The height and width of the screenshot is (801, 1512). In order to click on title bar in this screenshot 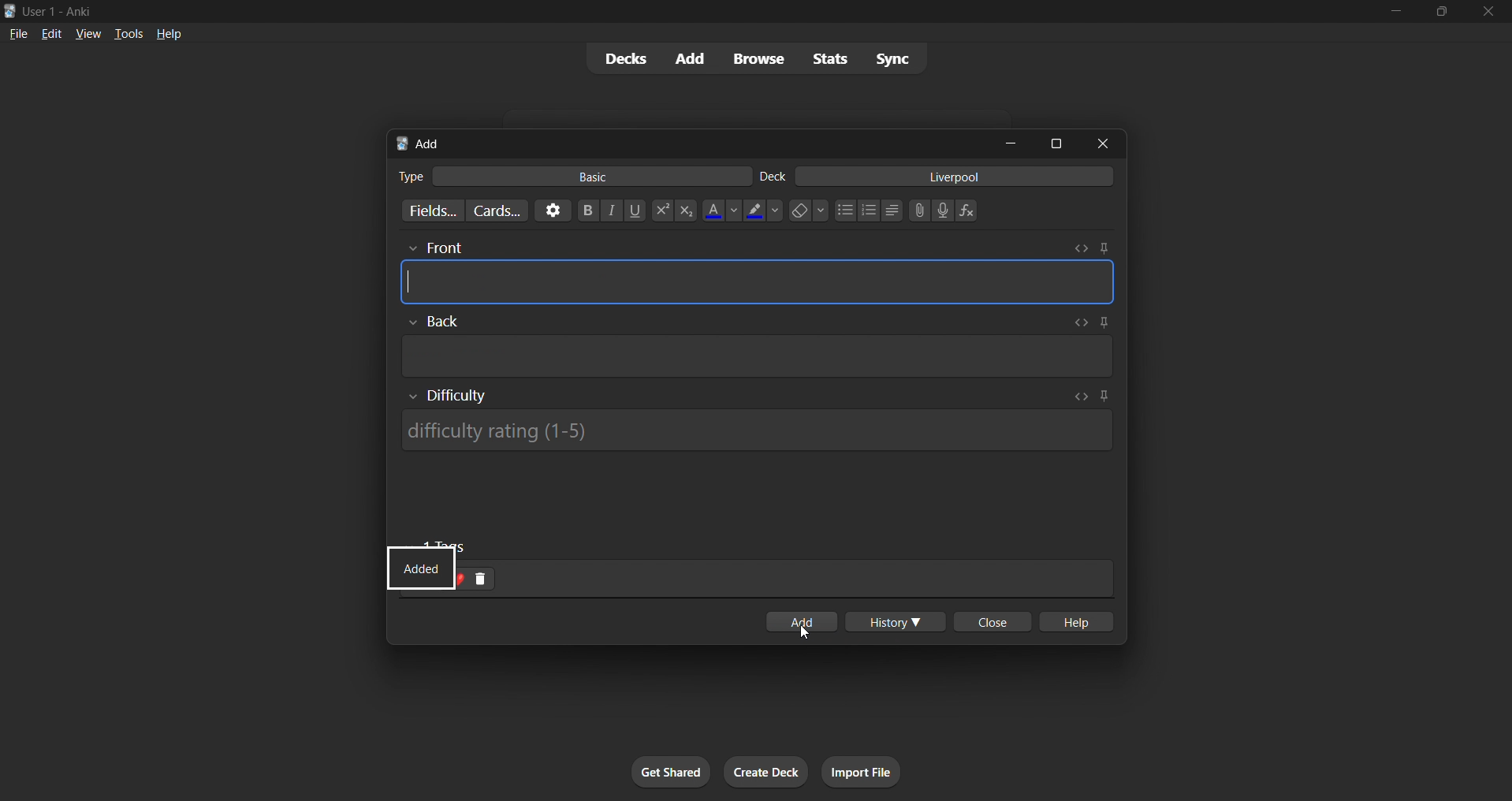, I will do `click(681, 9)`.